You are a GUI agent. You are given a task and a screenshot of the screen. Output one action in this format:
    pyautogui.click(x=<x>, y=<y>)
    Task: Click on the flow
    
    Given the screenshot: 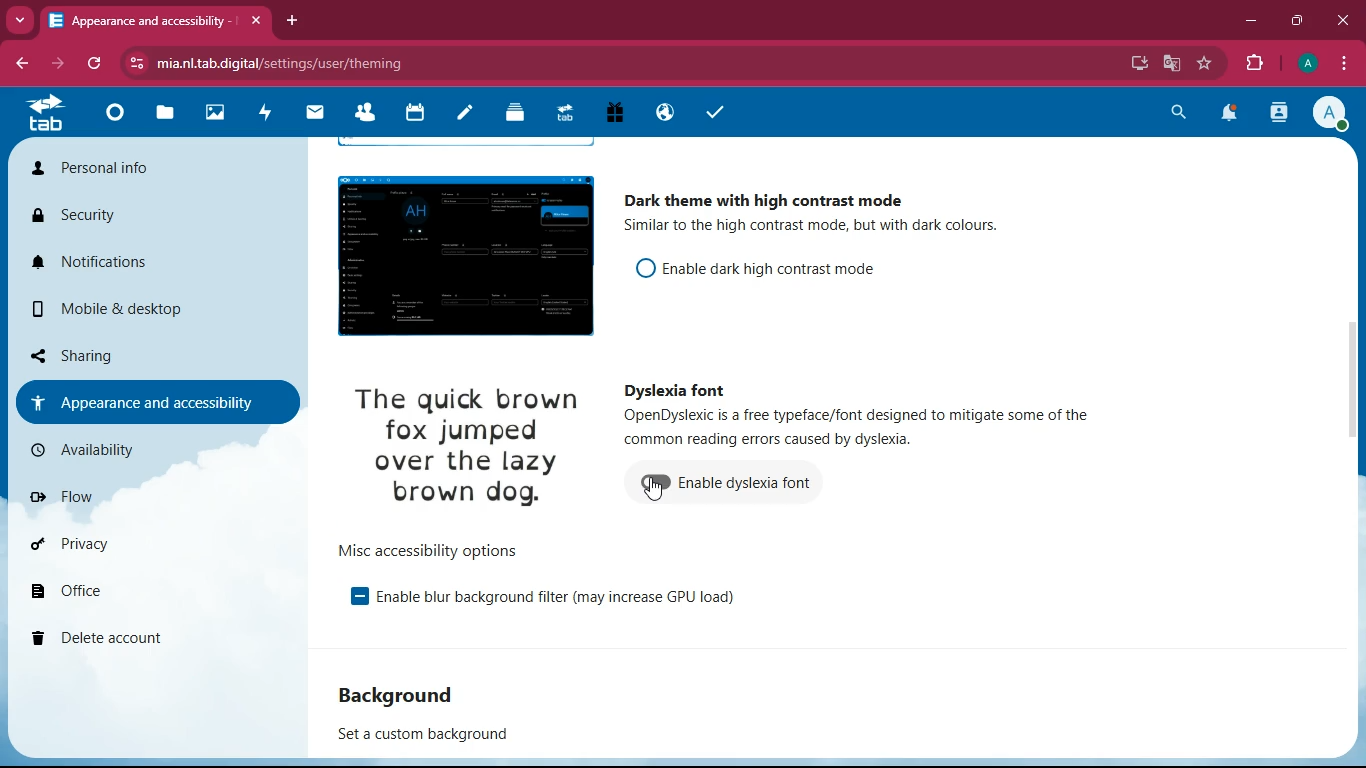 What is the action you would take?
    pyautogui.click(x=142, y=502)
    